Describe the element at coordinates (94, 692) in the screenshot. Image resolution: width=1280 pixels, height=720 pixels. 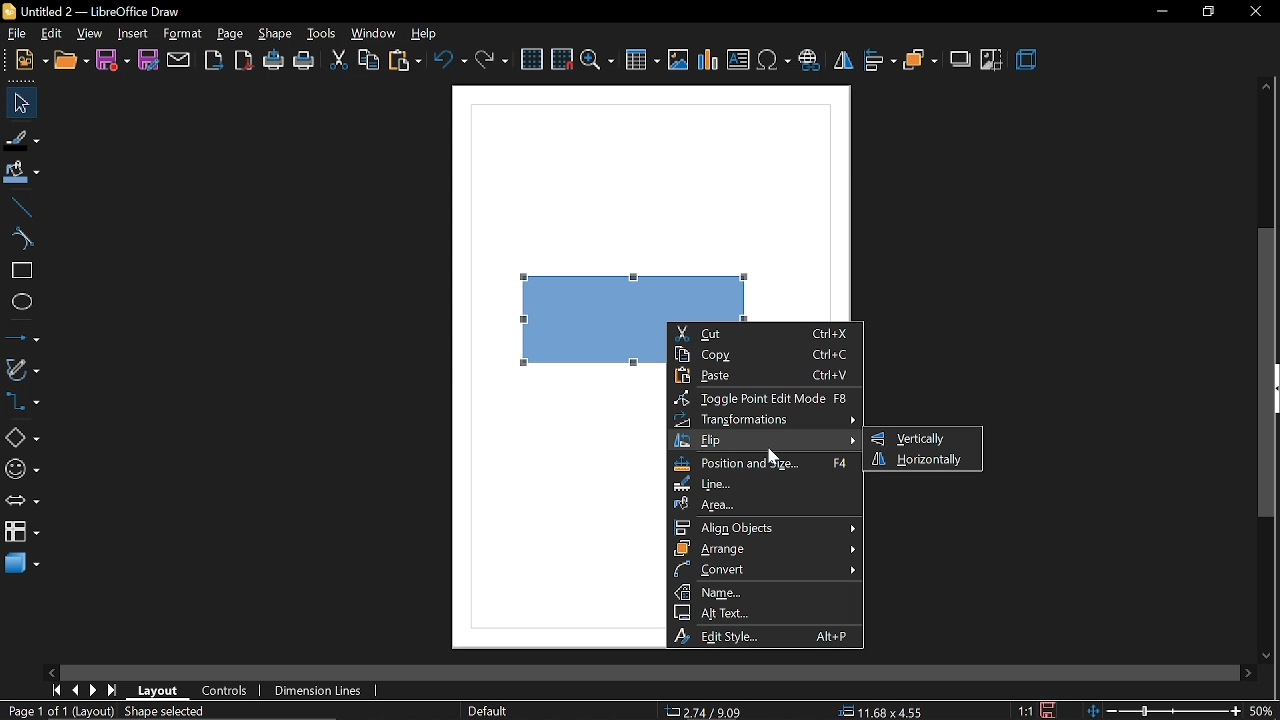
I see `next page` at that location.